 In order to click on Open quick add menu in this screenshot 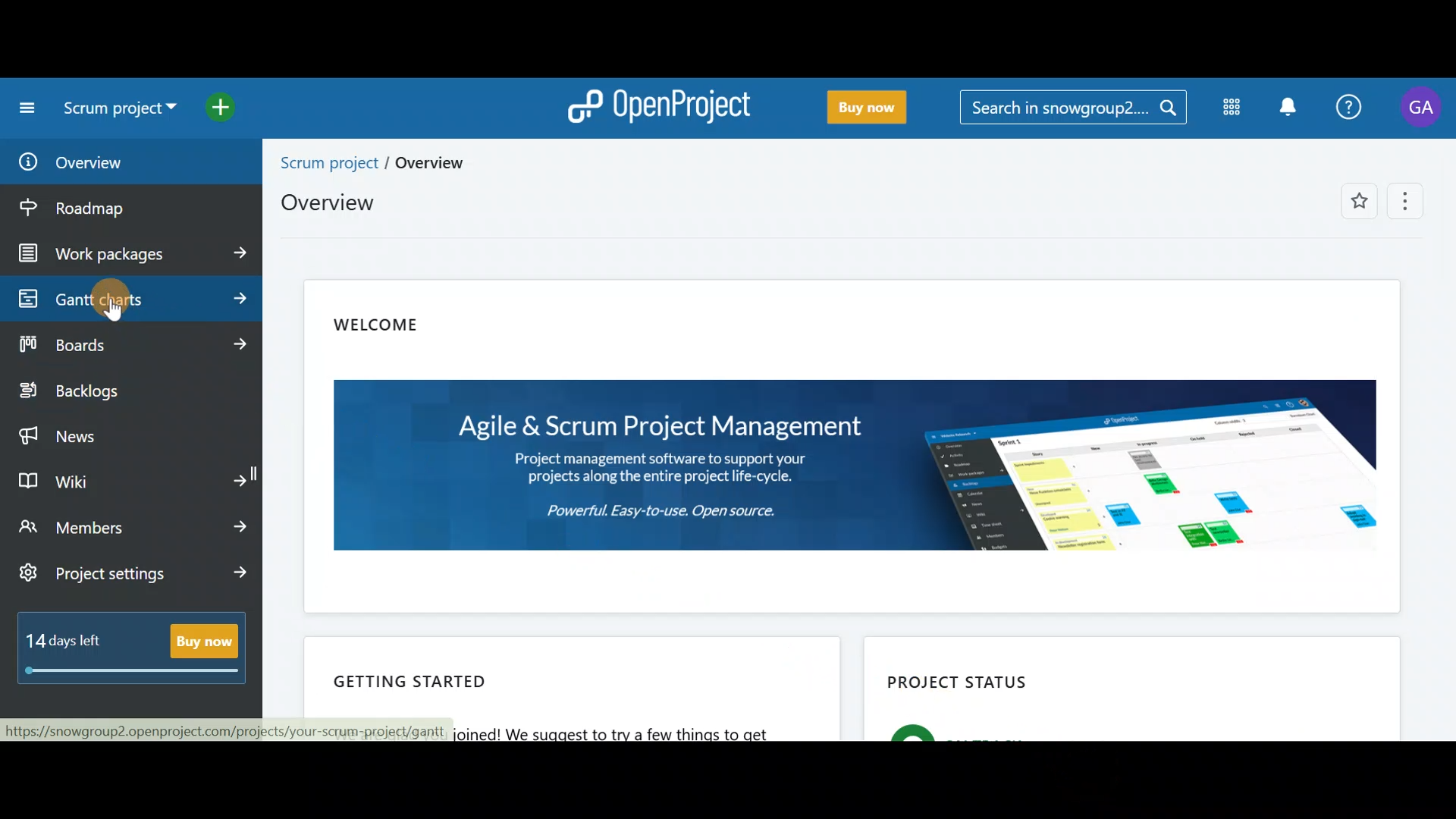, I will do `click(222, 111)`.